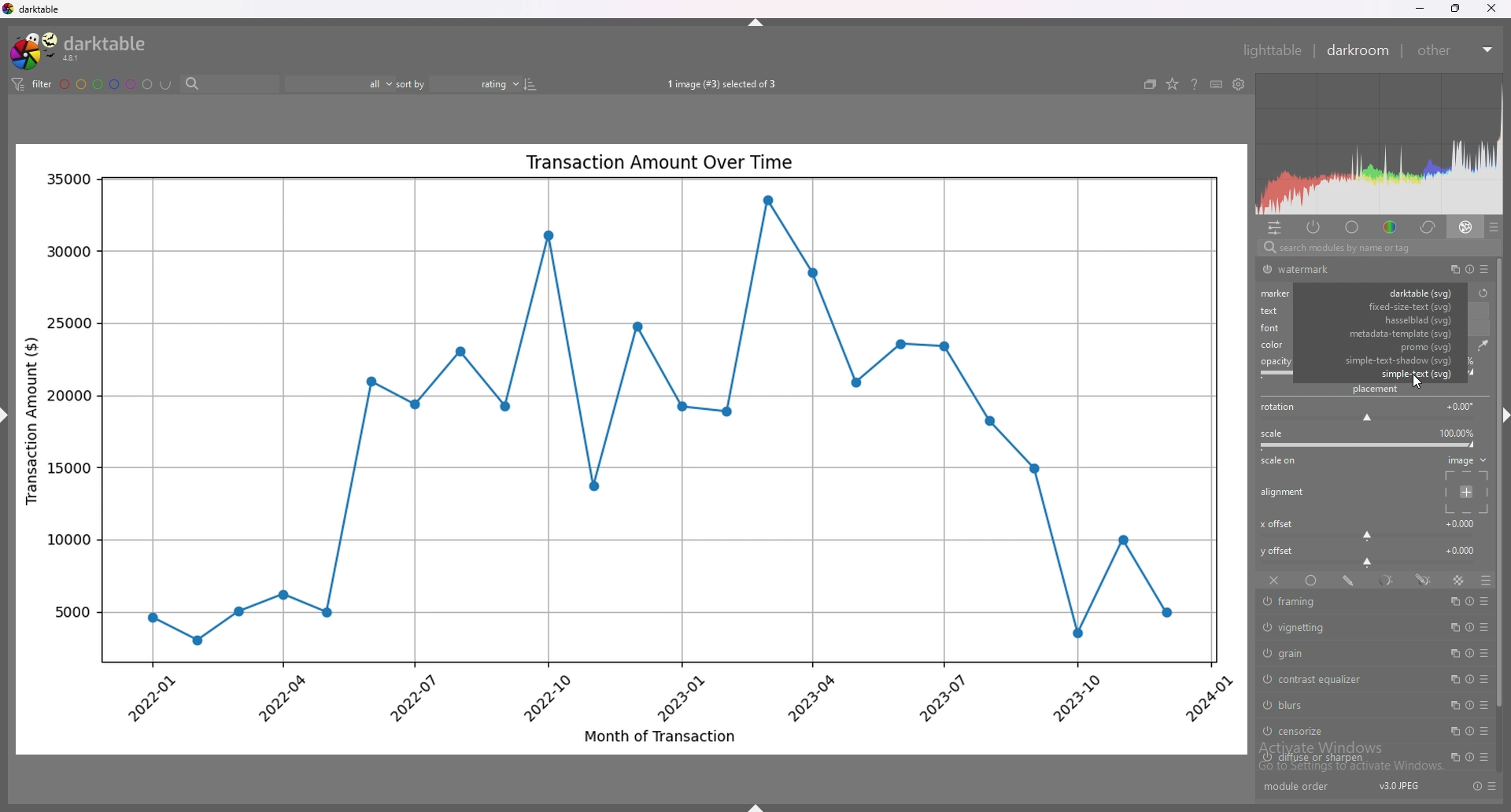 The image size is (1511, 812). Describe the element at coordinates (1276, 293) in the screenshot. I see `marker` at that location.